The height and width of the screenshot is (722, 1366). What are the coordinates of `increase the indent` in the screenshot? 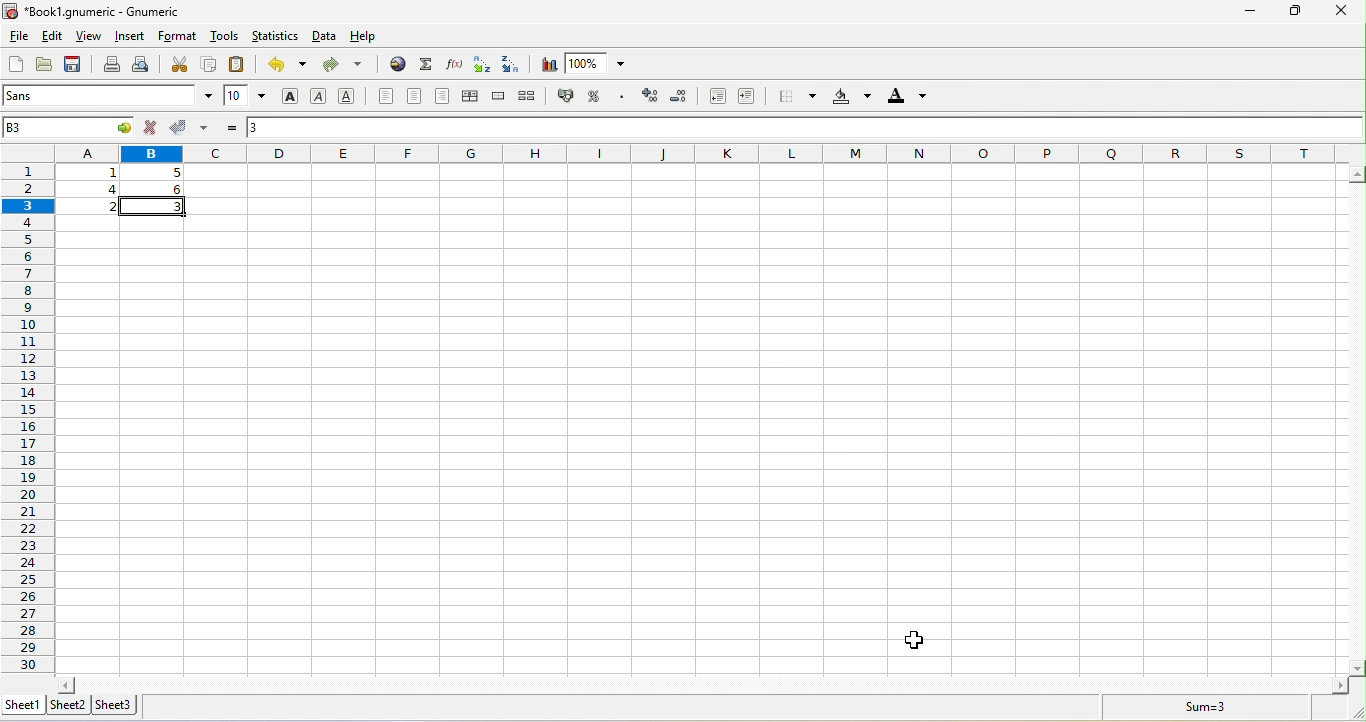 It's located at (749, 97).